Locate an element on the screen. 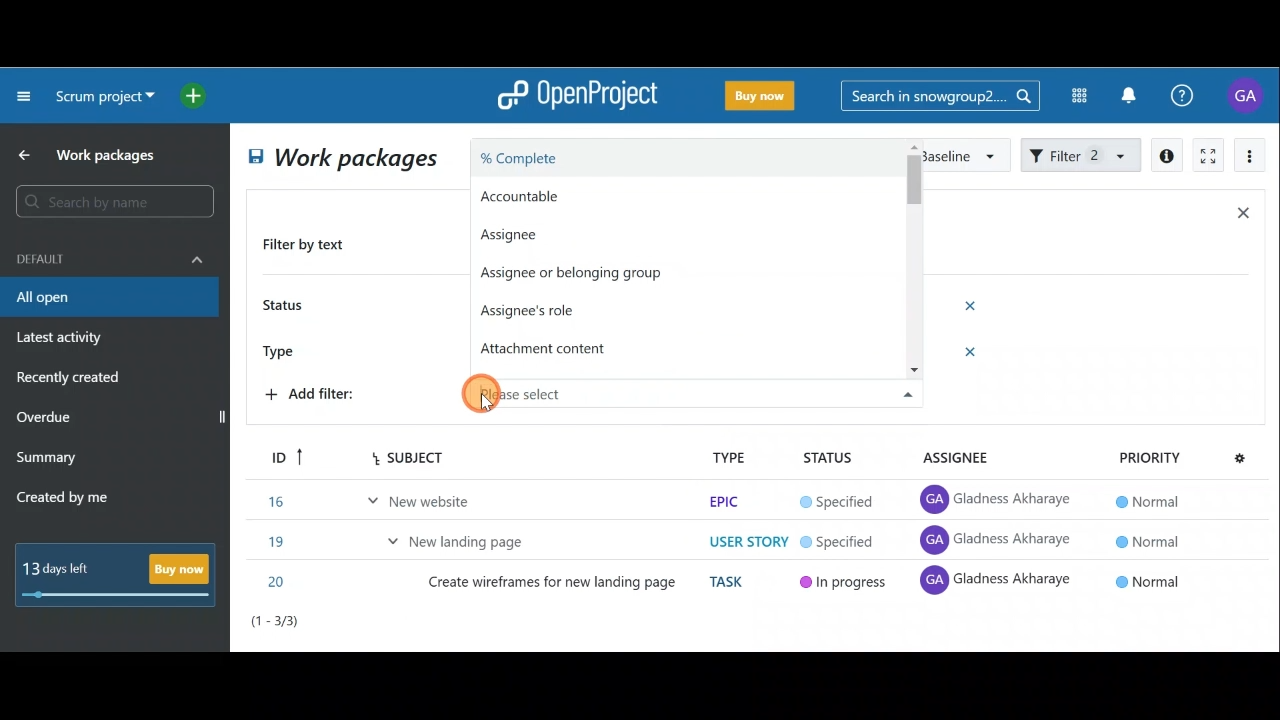 The image size is (1280, 720). Activate zen mode is located at coordinates (1206, 157).